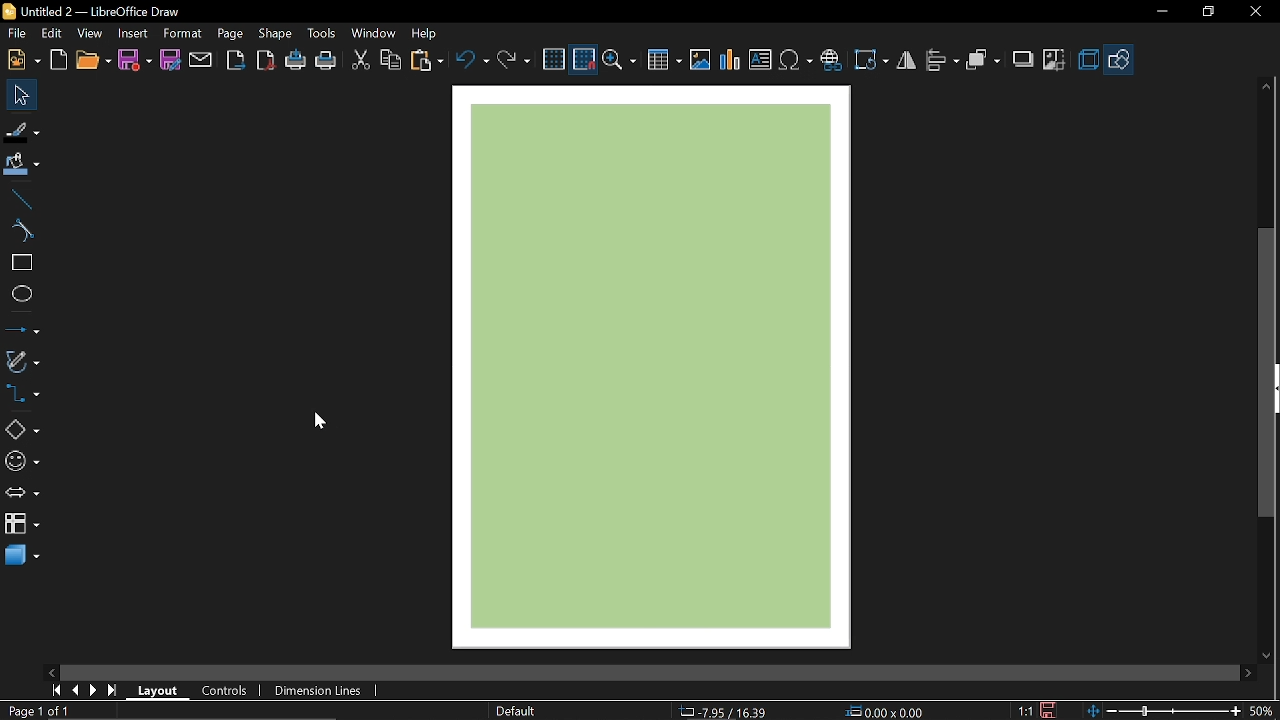 The height and width of the screenshot is (720, 1280). Describe the element at coordinates (21, 329) in the screenshot. I see `Lines and arrows` at that location.